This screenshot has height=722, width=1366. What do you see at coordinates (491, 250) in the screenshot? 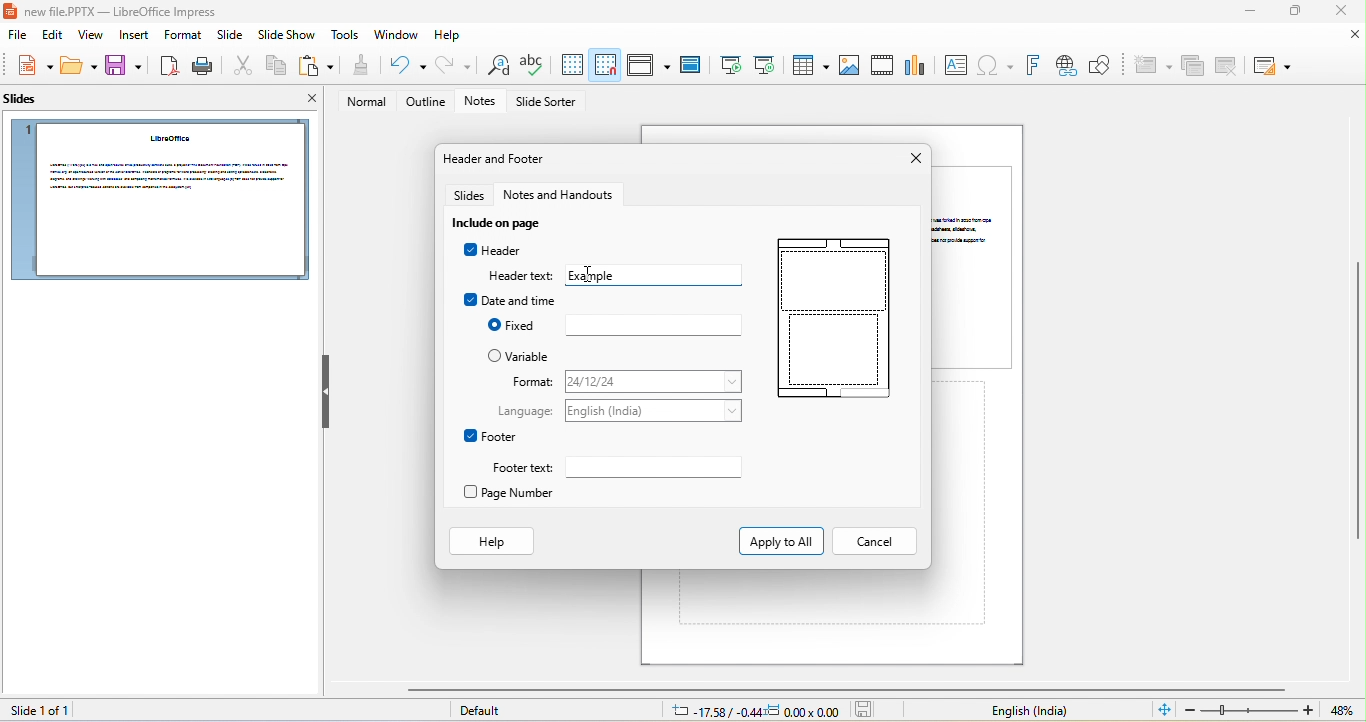
I see `Header` at bounding box center [491, 250].